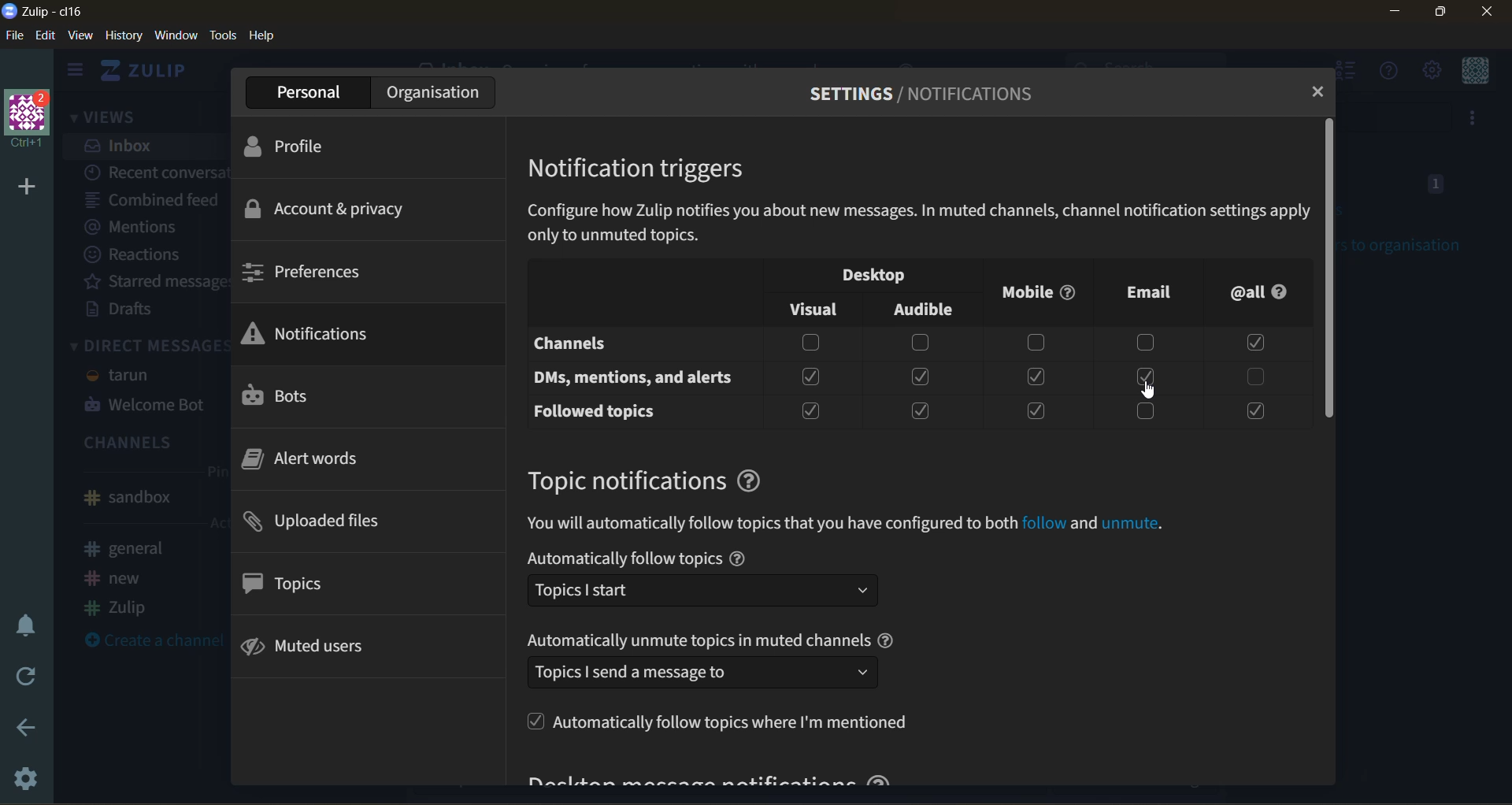  What do you see at coordinates (646, 170) in the screenshot?
I see `notification triggers` at bounding box center [646, 170].